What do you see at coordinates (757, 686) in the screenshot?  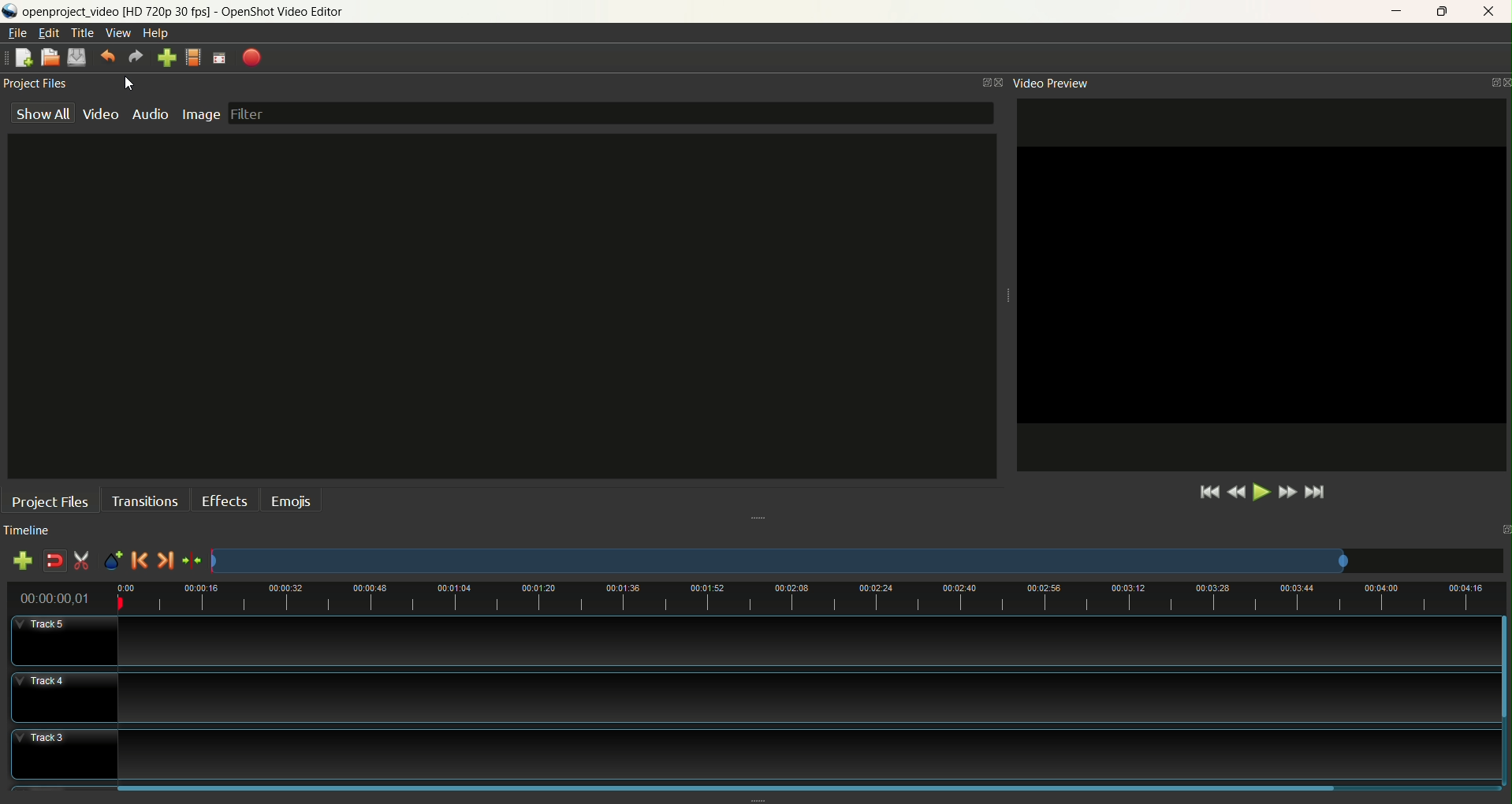 I see `track4` at bounding box center [757, 686].